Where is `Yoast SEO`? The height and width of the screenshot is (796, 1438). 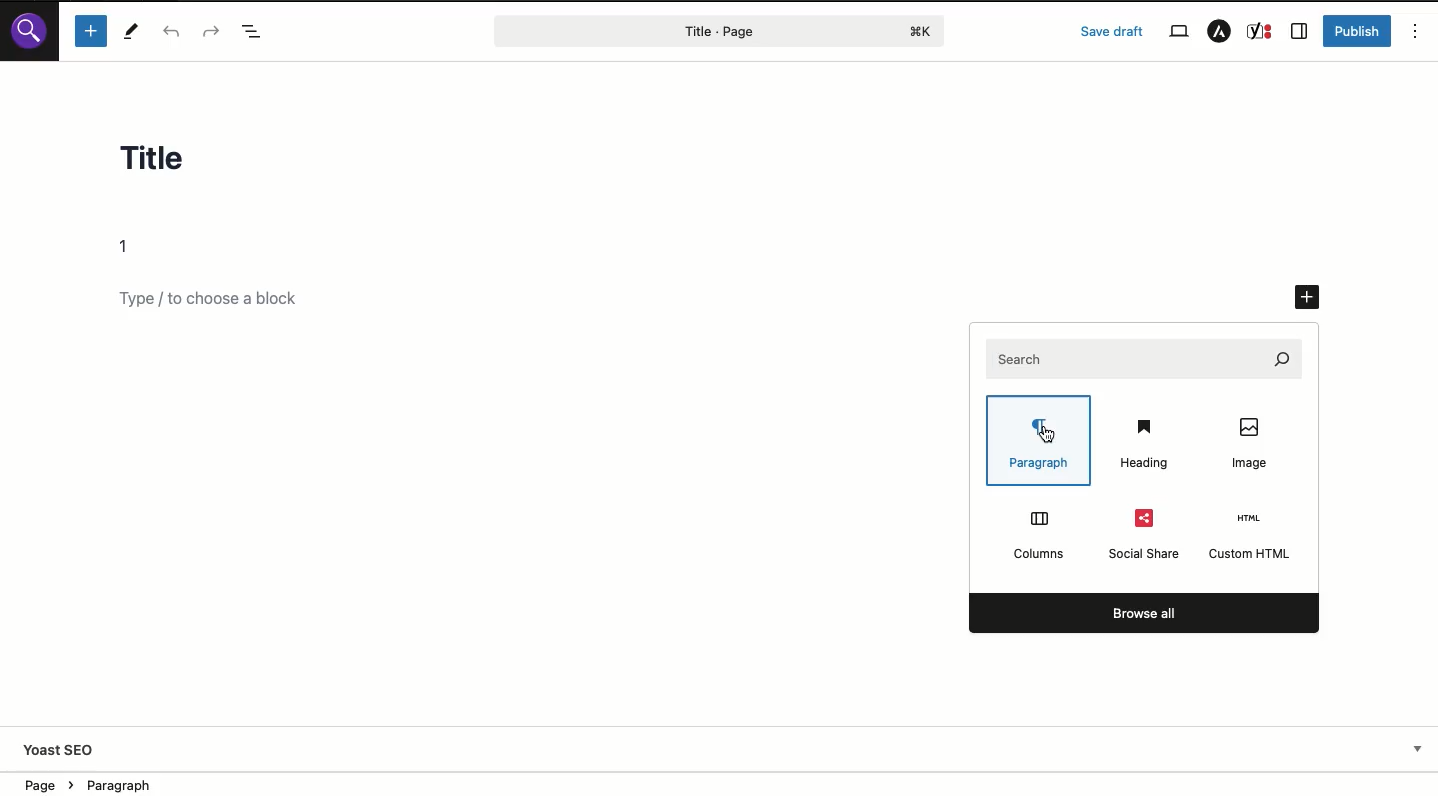
Yoast SEO is located at coordinates (61, 752).